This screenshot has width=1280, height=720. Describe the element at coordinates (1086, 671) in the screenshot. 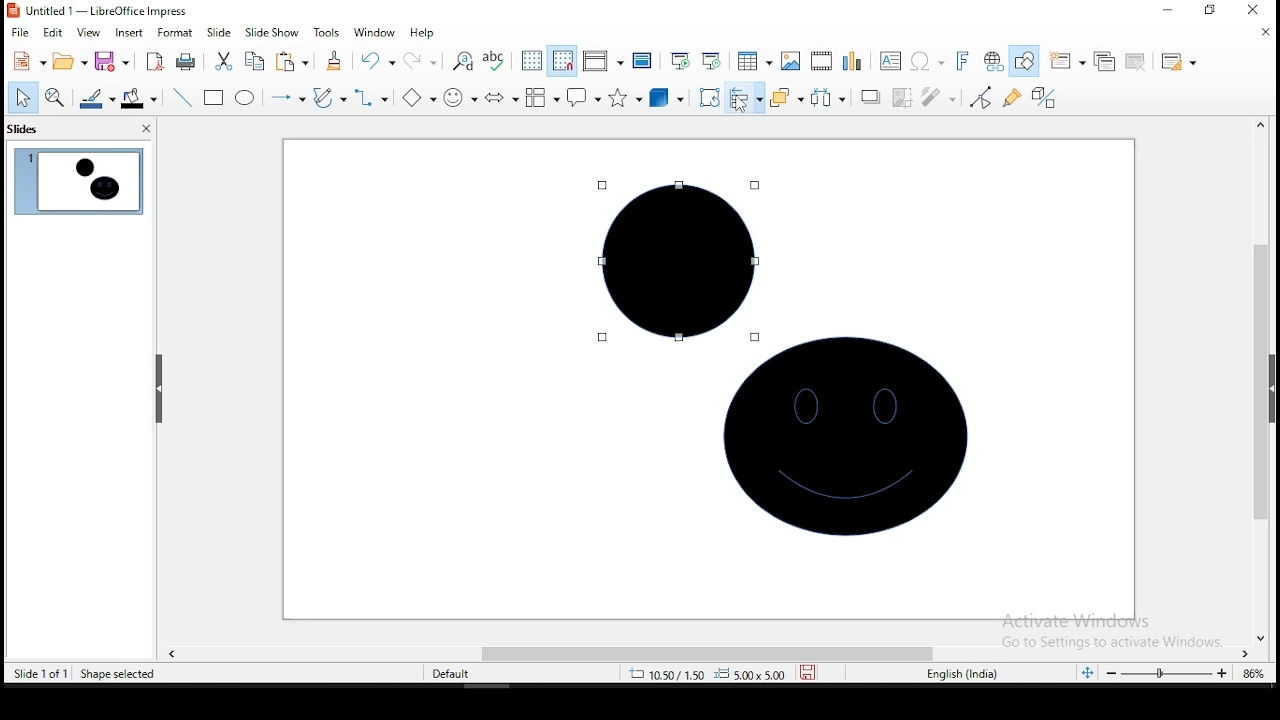

I see `fit slide to current window` at that location.